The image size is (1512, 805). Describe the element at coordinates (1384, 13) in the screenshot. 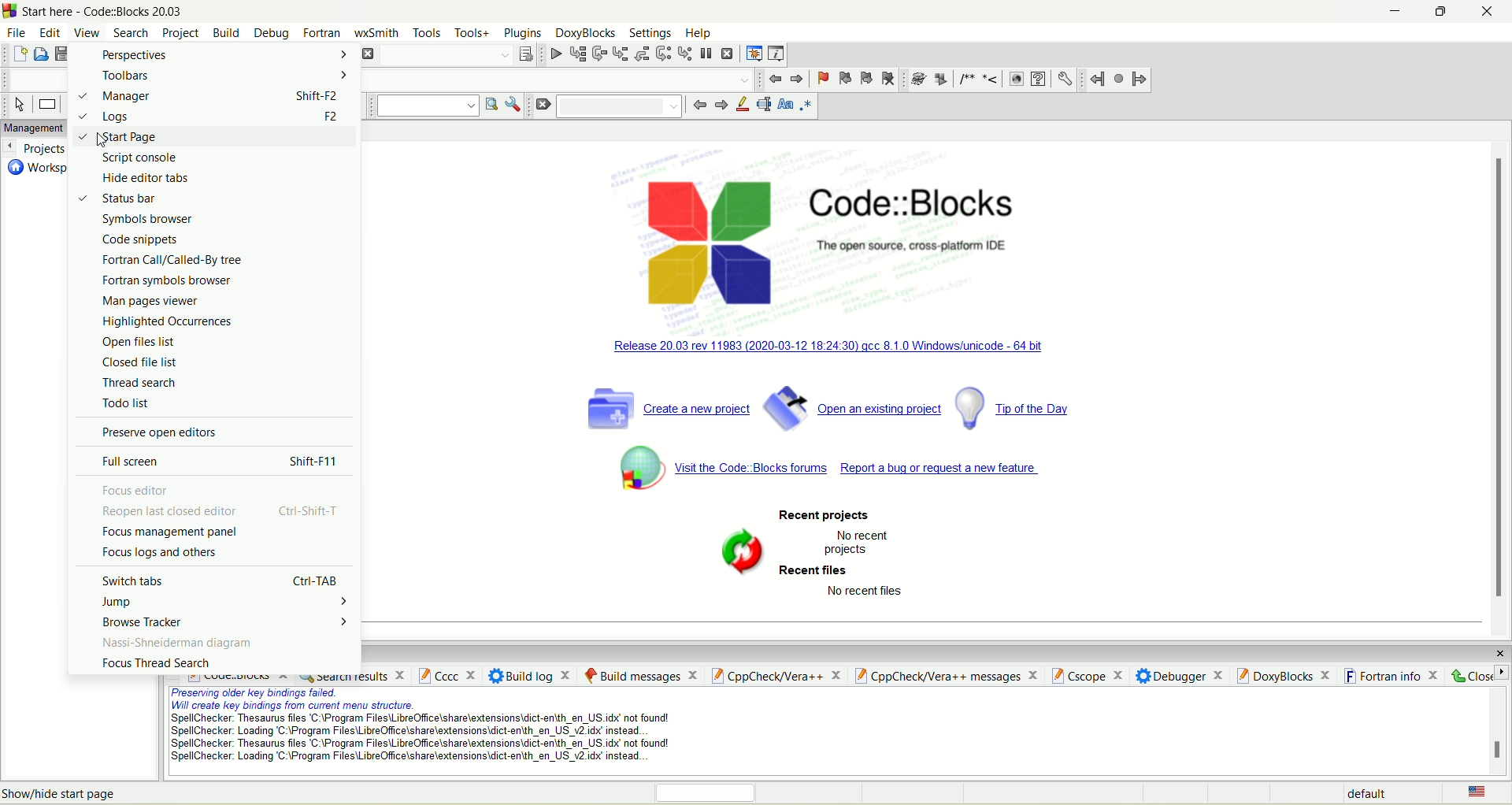

I see `minimize` at that location.